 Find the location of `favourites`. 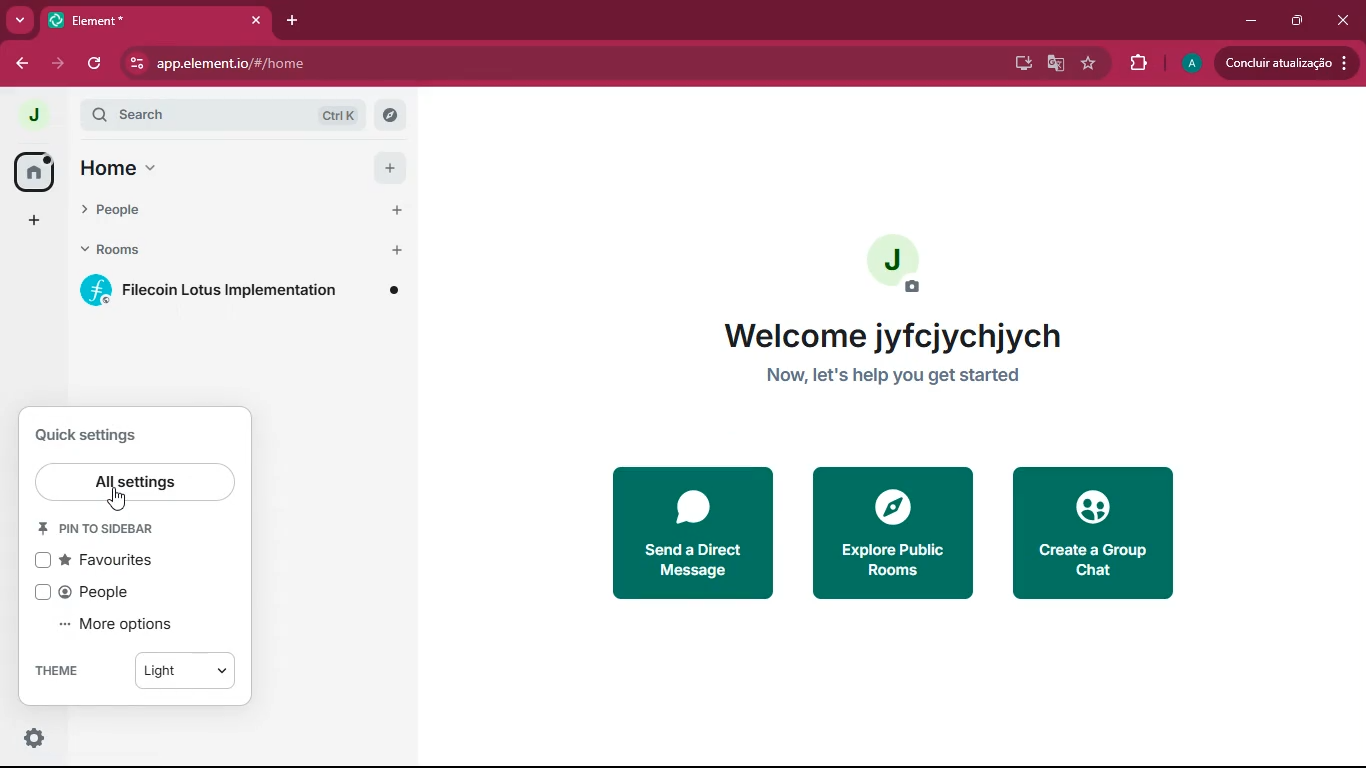

favourites is located at coordinates (103, 561).